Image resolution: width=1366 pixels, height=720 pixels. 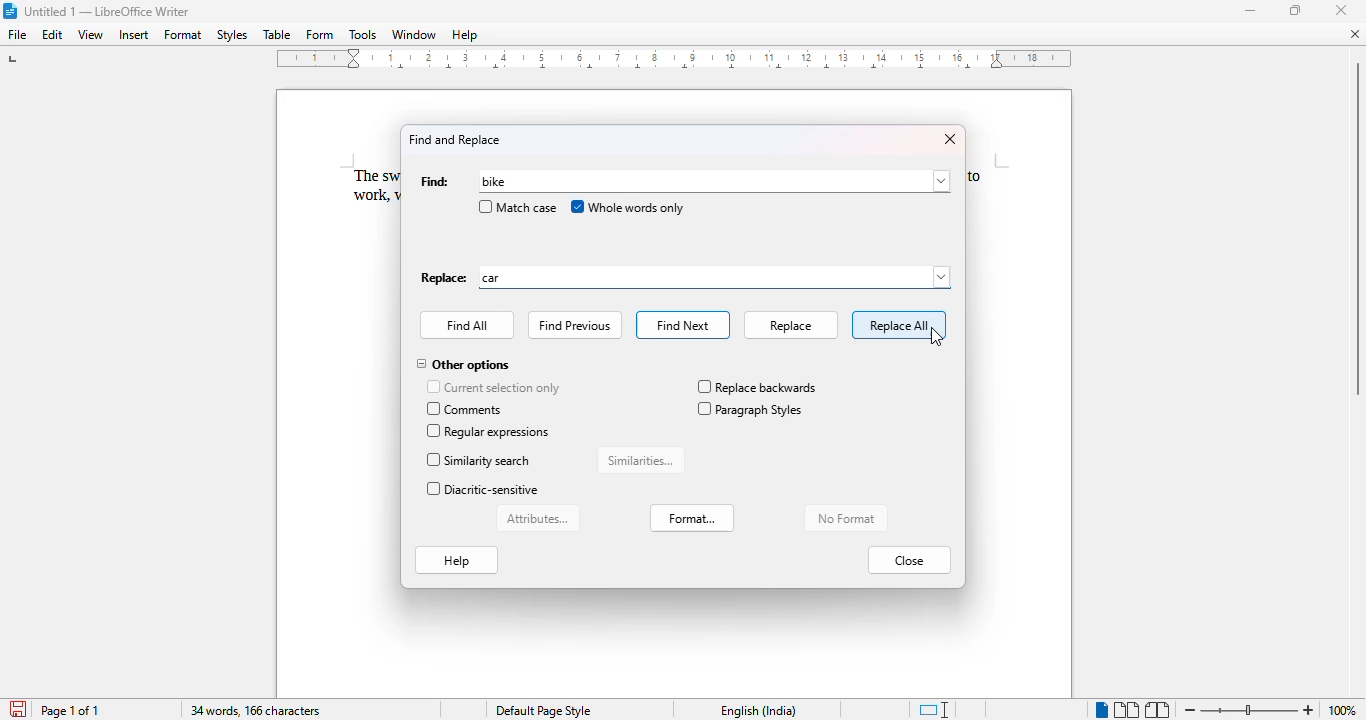 I want to click on comments, so click(x=467, y=409).